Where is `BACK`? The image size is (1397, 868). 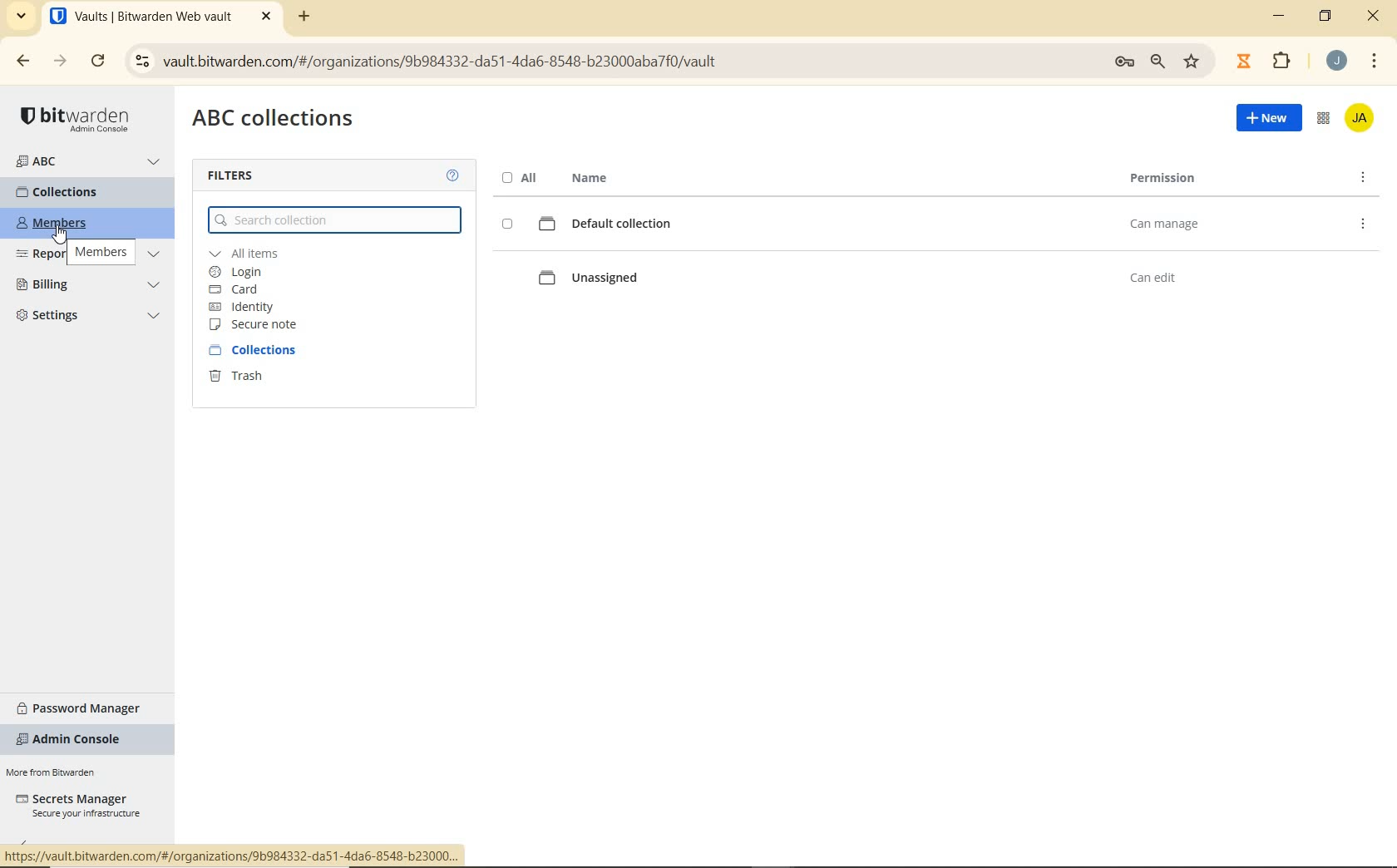
BACK is located at coordinates (24, 62).